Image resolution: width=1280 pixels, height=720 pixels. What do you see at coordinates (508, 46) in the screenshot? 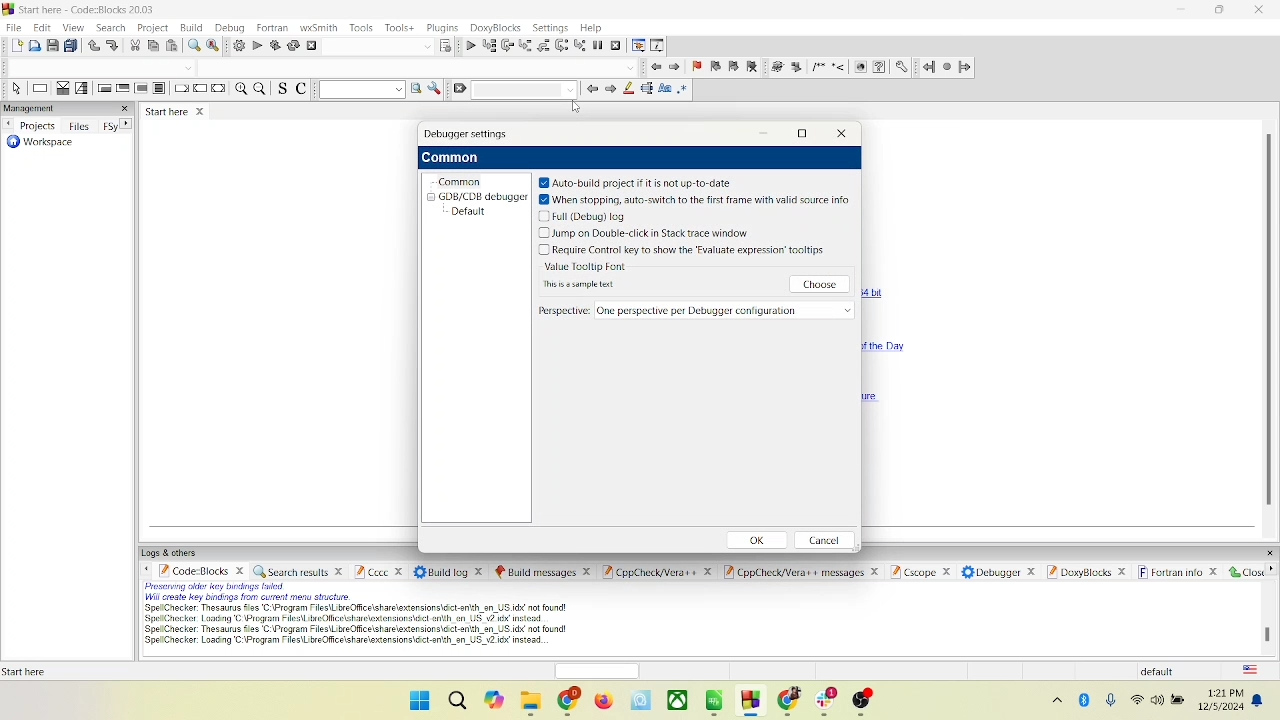
I see `next line` at bounding box center [508, 46].